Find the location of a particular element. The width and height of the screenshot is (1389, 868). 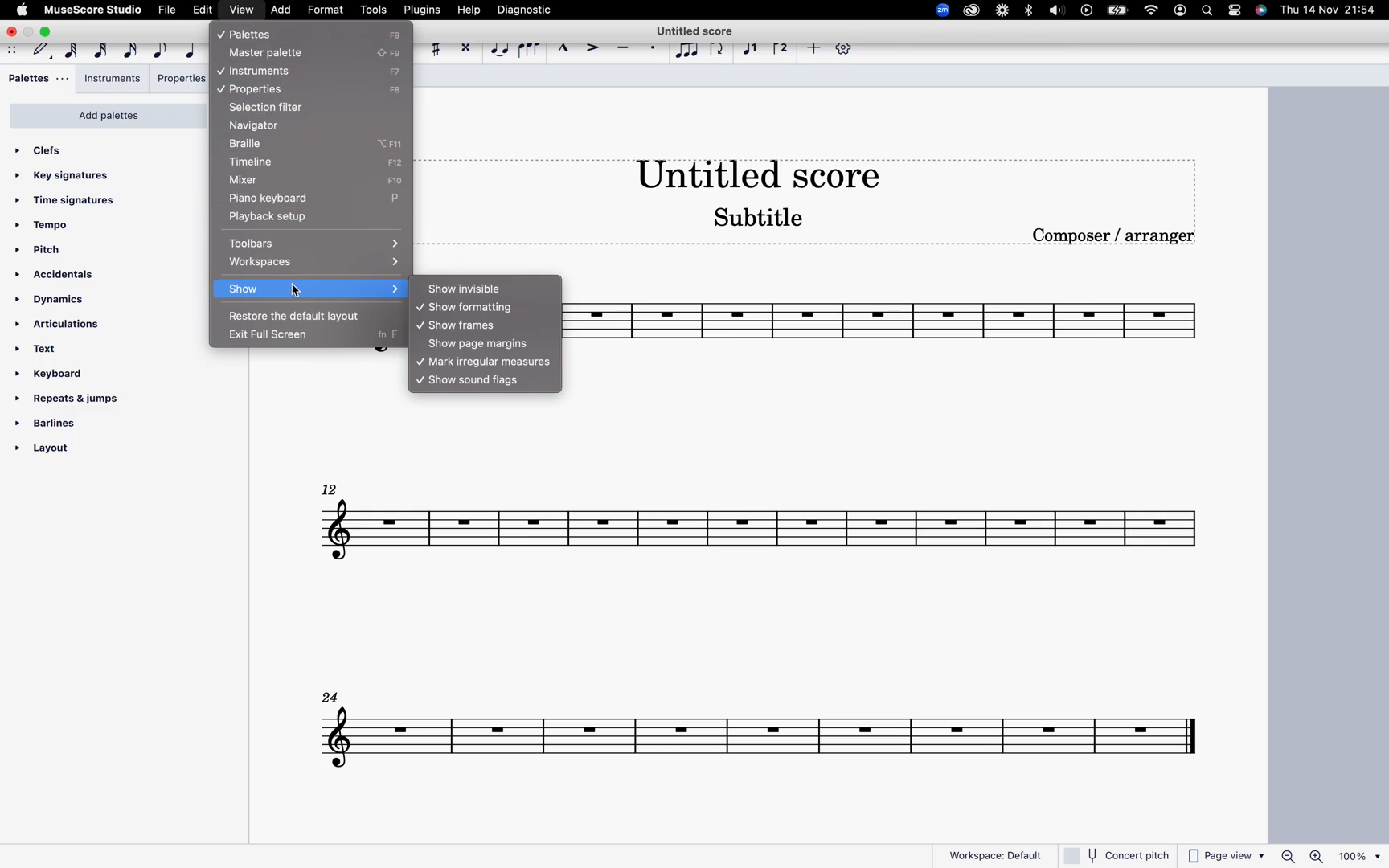

navigator is located at coordinates (270, 125).